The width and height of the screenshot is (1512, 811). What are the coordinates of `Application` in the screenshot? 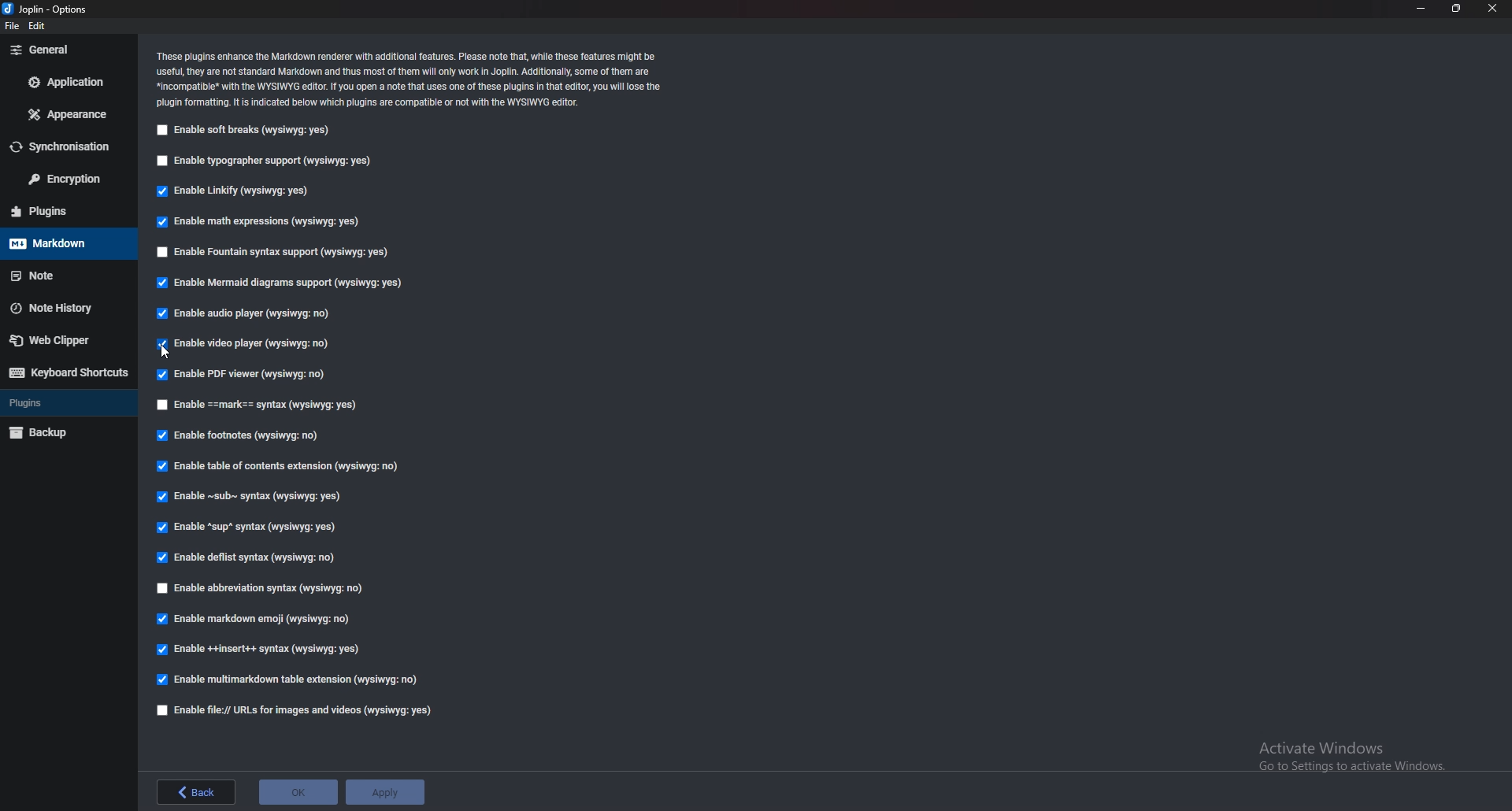 It's located at (65, 82).